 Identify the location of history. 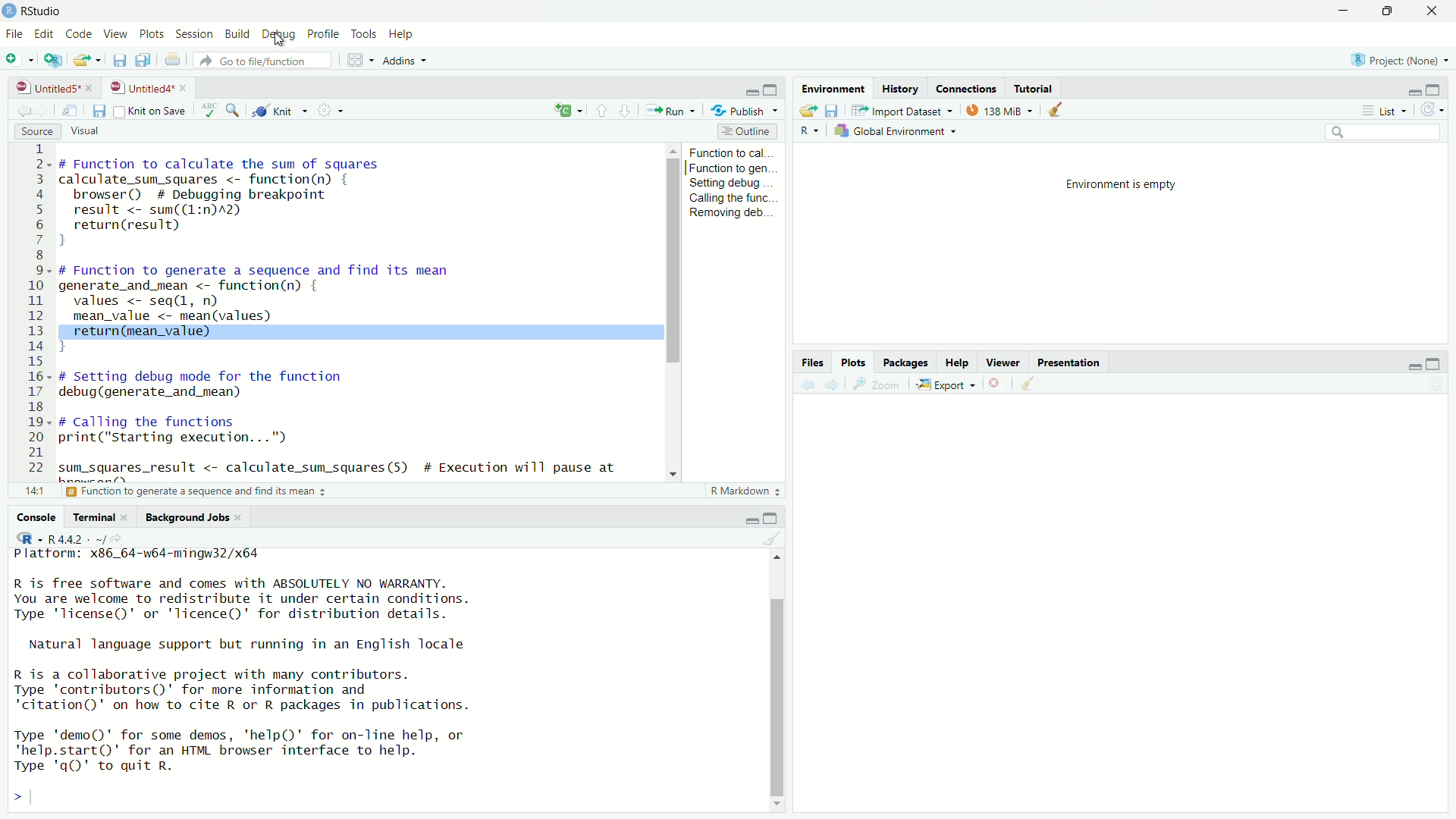
(898, 86).